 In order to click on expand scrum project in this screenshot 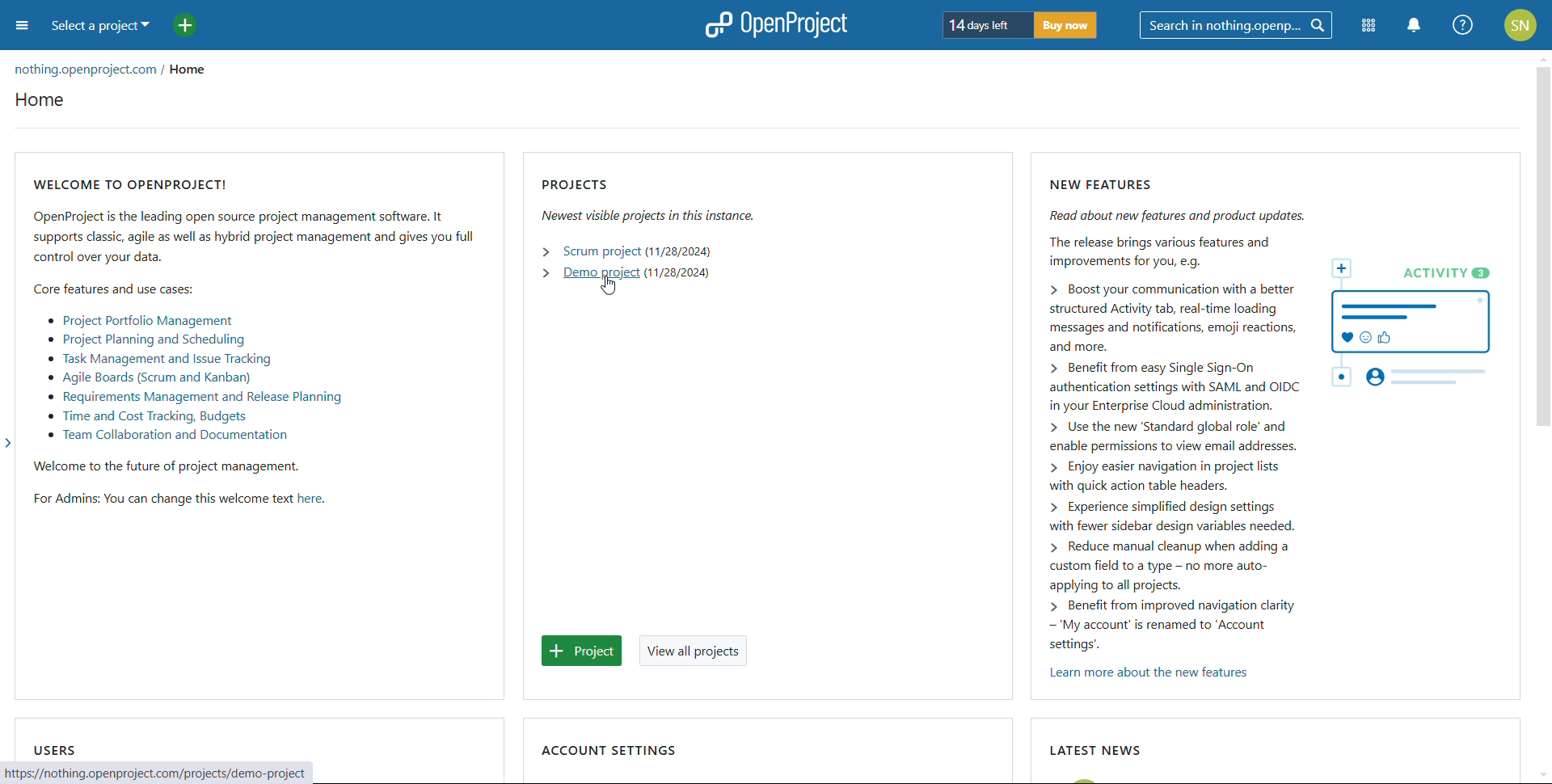, I will do `click(547, 251)`.